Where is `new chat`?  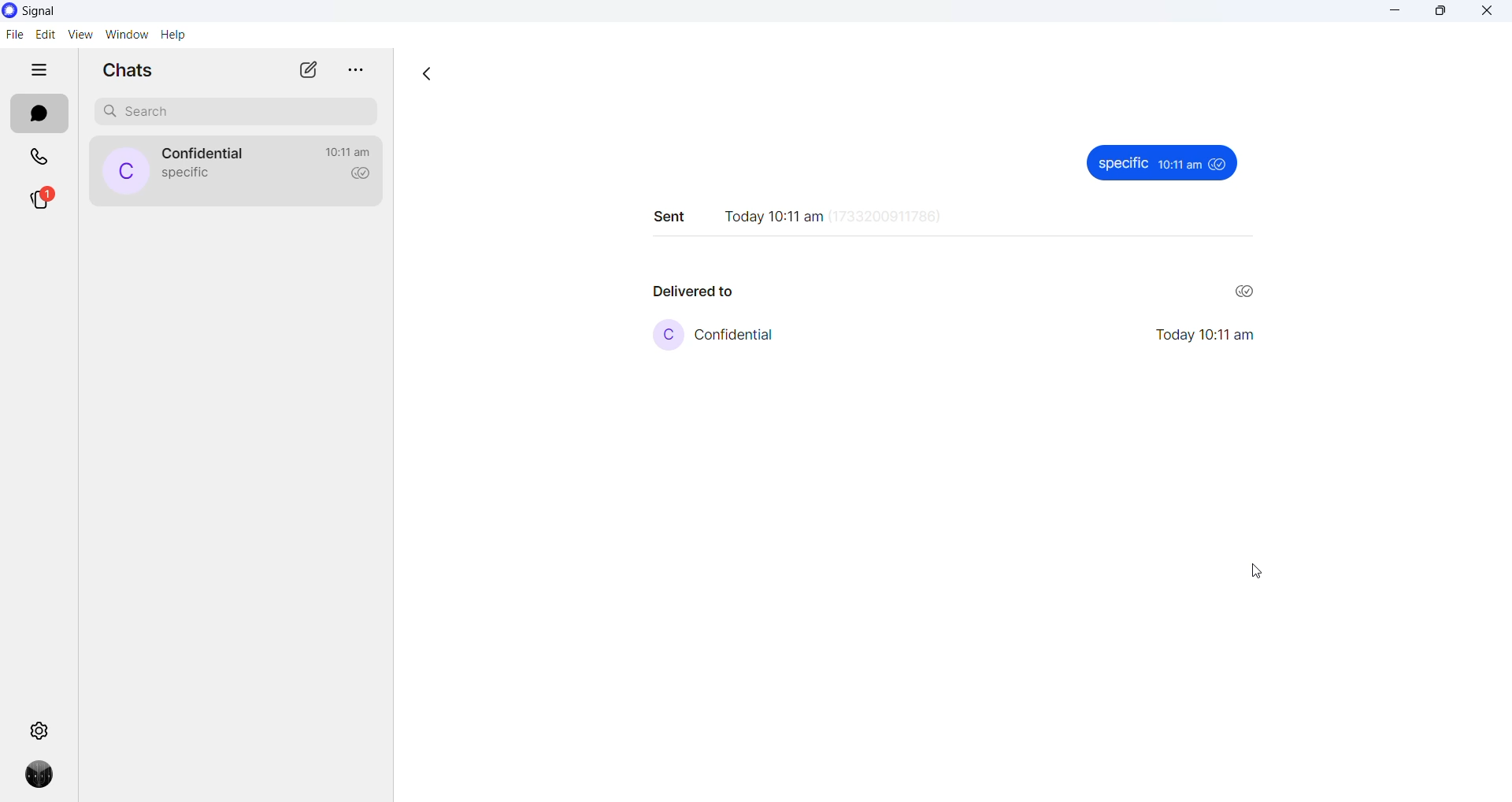 new chat is located at coordinates (309, 70).